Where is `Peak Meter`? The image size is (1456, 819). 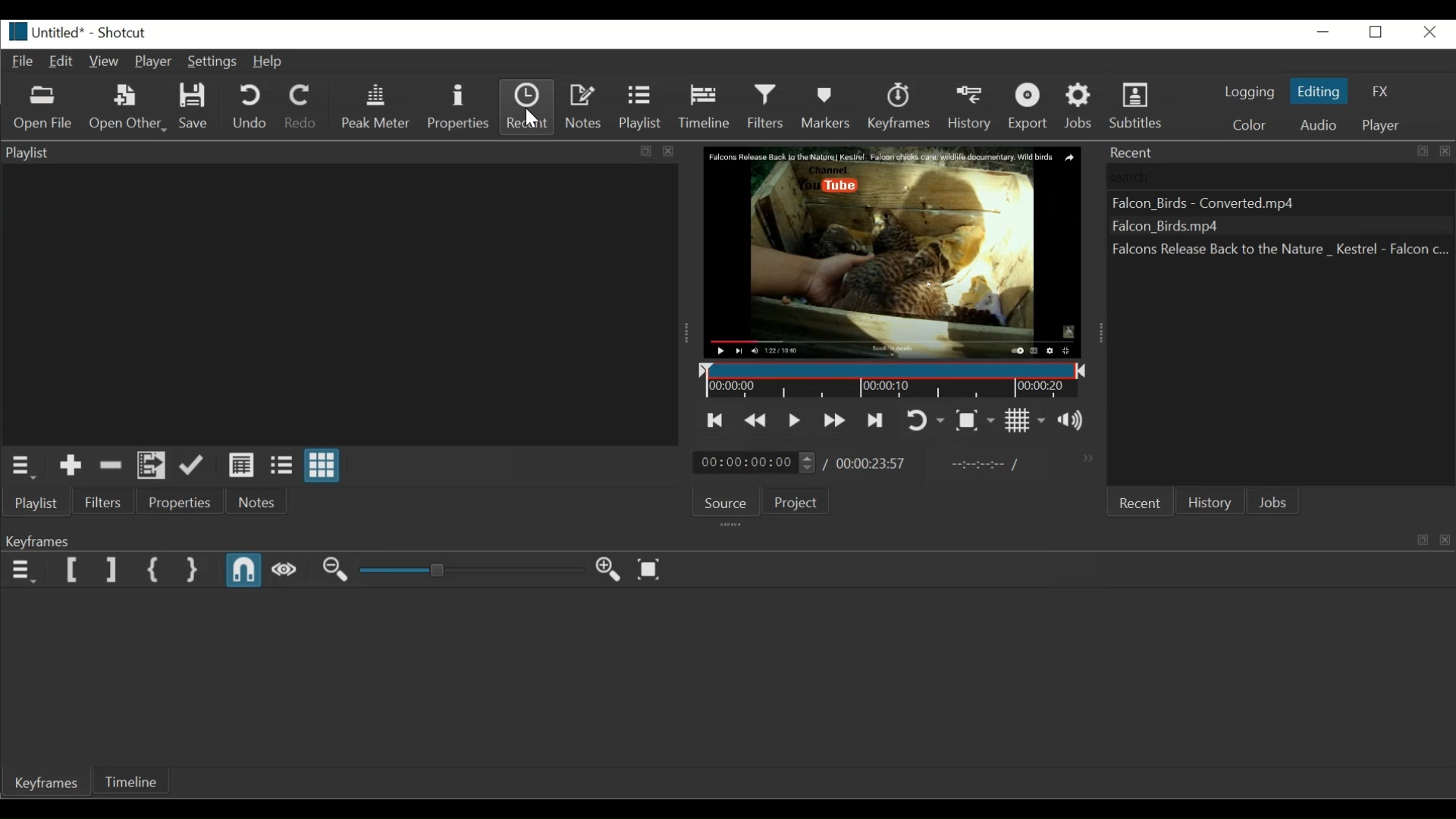
Peak Meter is located at coordinates (378, 106).